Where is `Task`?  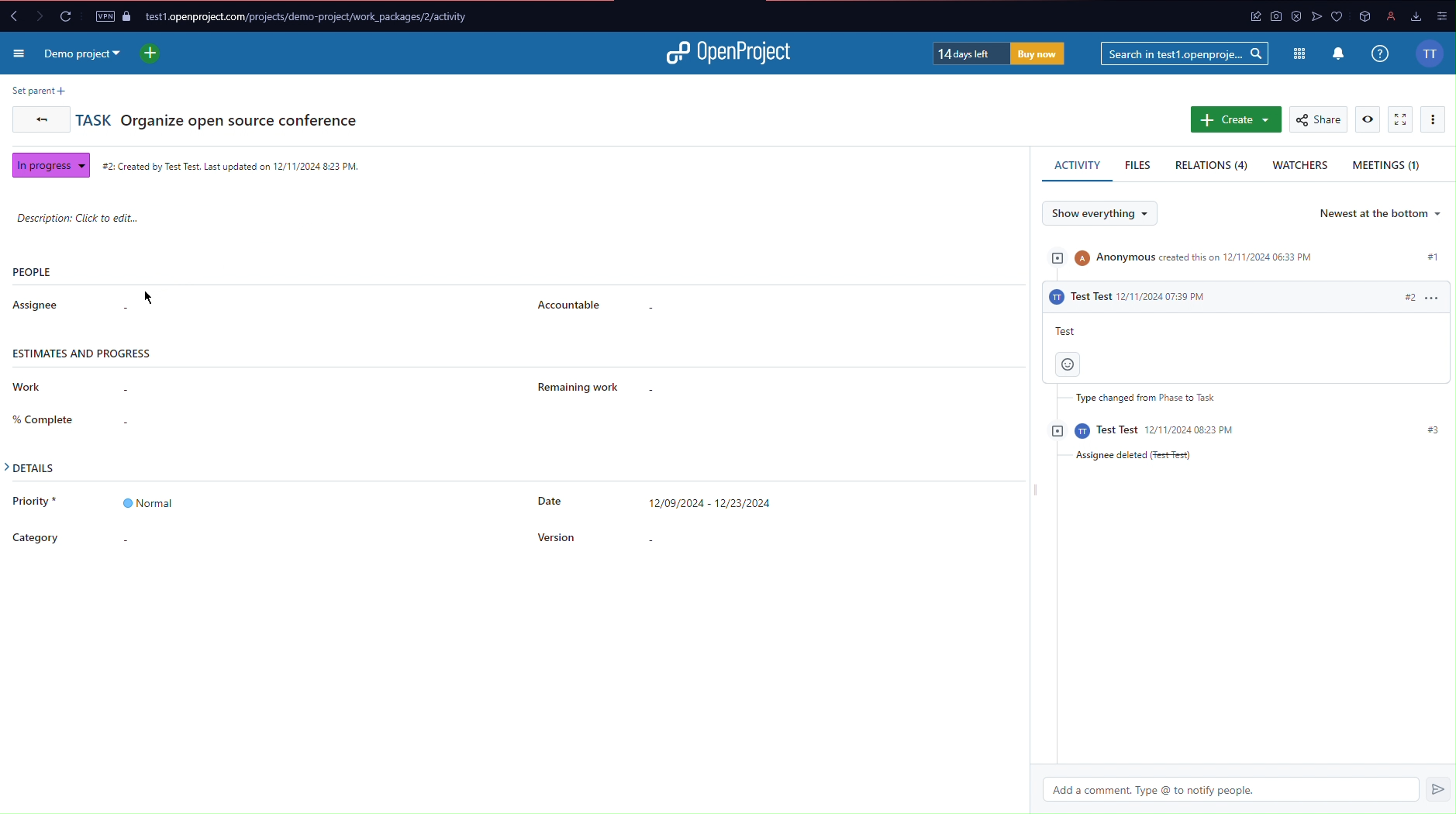 Task is located at coordinates (93, 118).